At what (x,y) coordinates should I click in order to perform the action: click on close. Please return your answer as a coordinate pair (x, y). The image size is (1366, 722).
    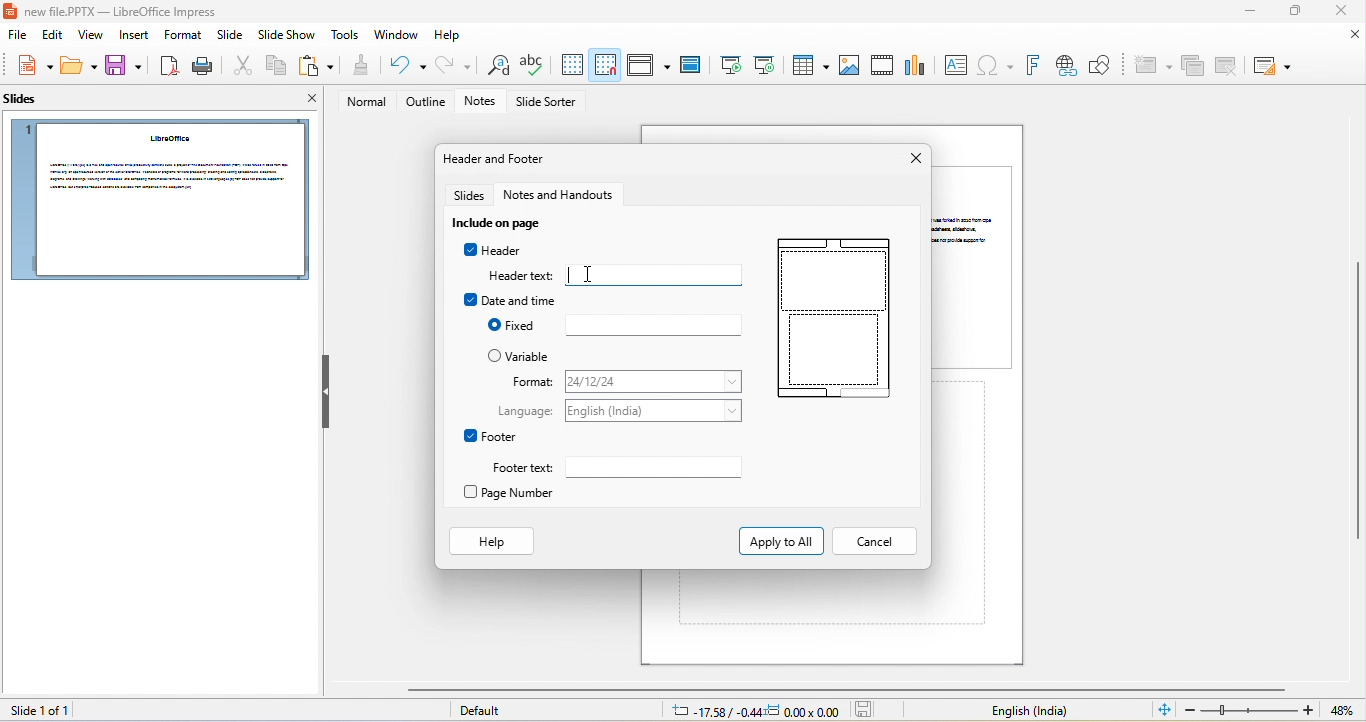
    Looking at the image, I should click on (912, 159).